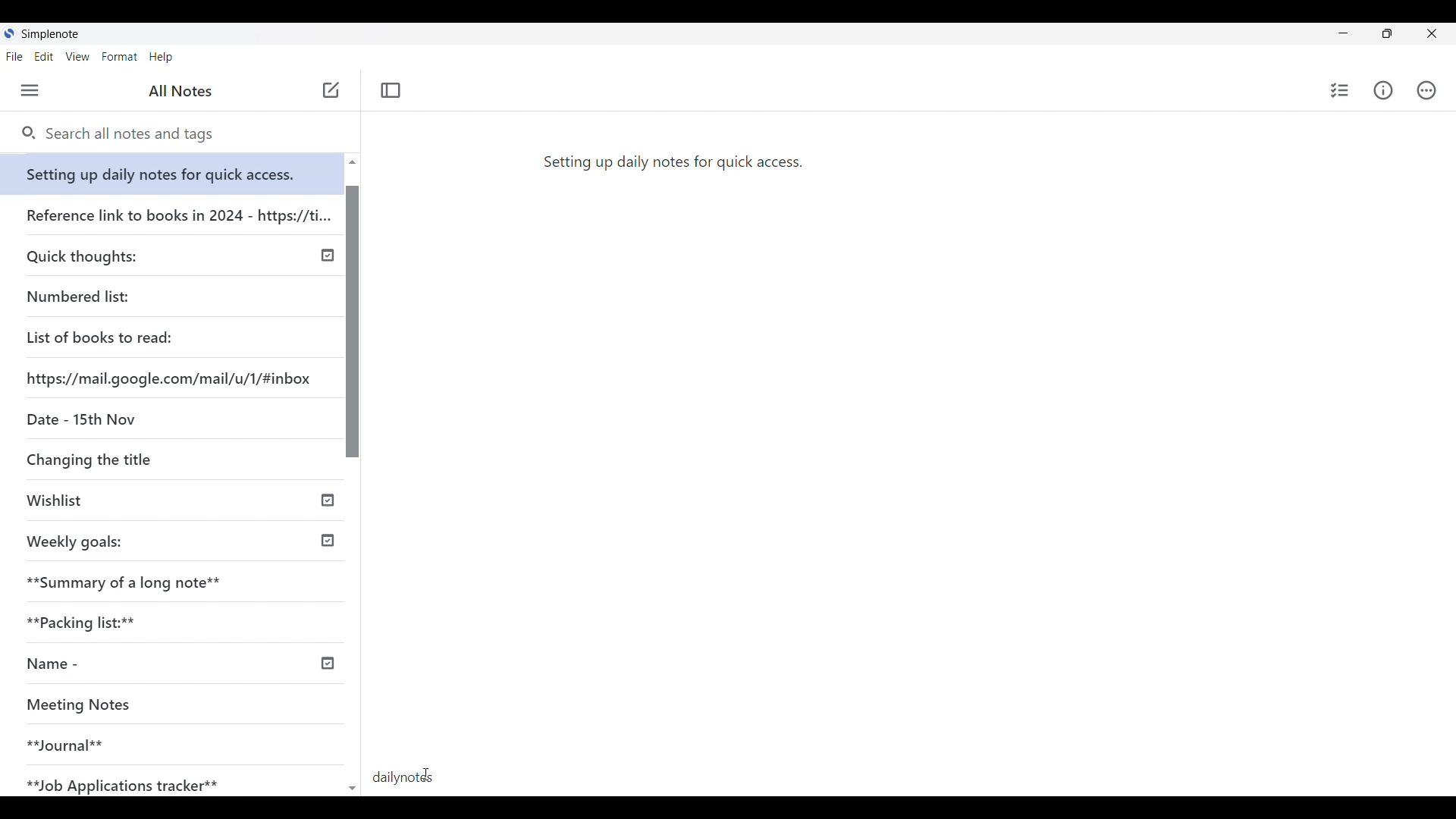 The image size is (1456, 819). What do you see at coordinates (44, 57) in the screenshot?
I see `Edit menu` at bounding box center [44, 57].